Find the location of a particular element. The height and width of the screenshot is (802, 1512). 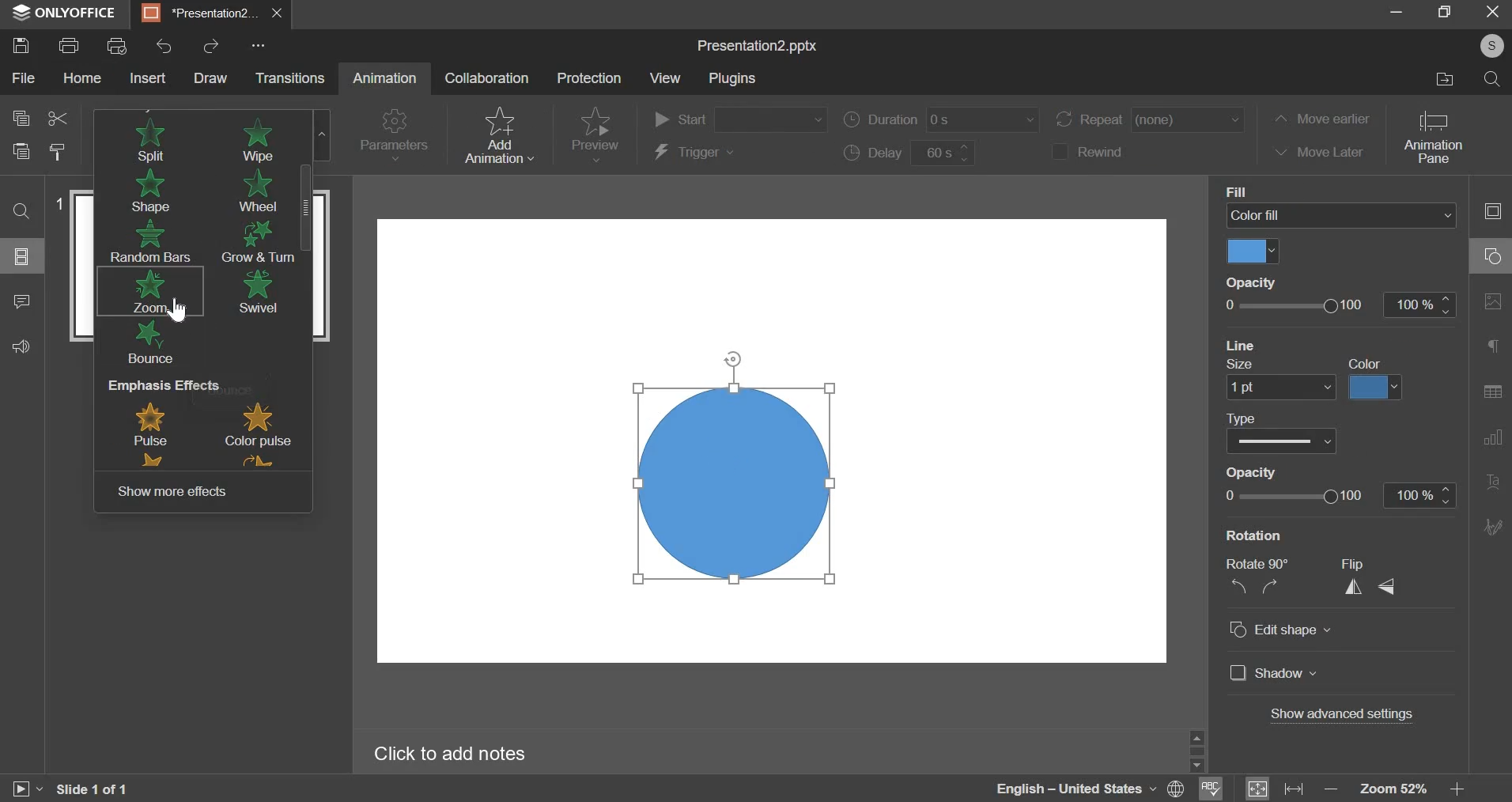

cut is located at coordinates (57, 118).